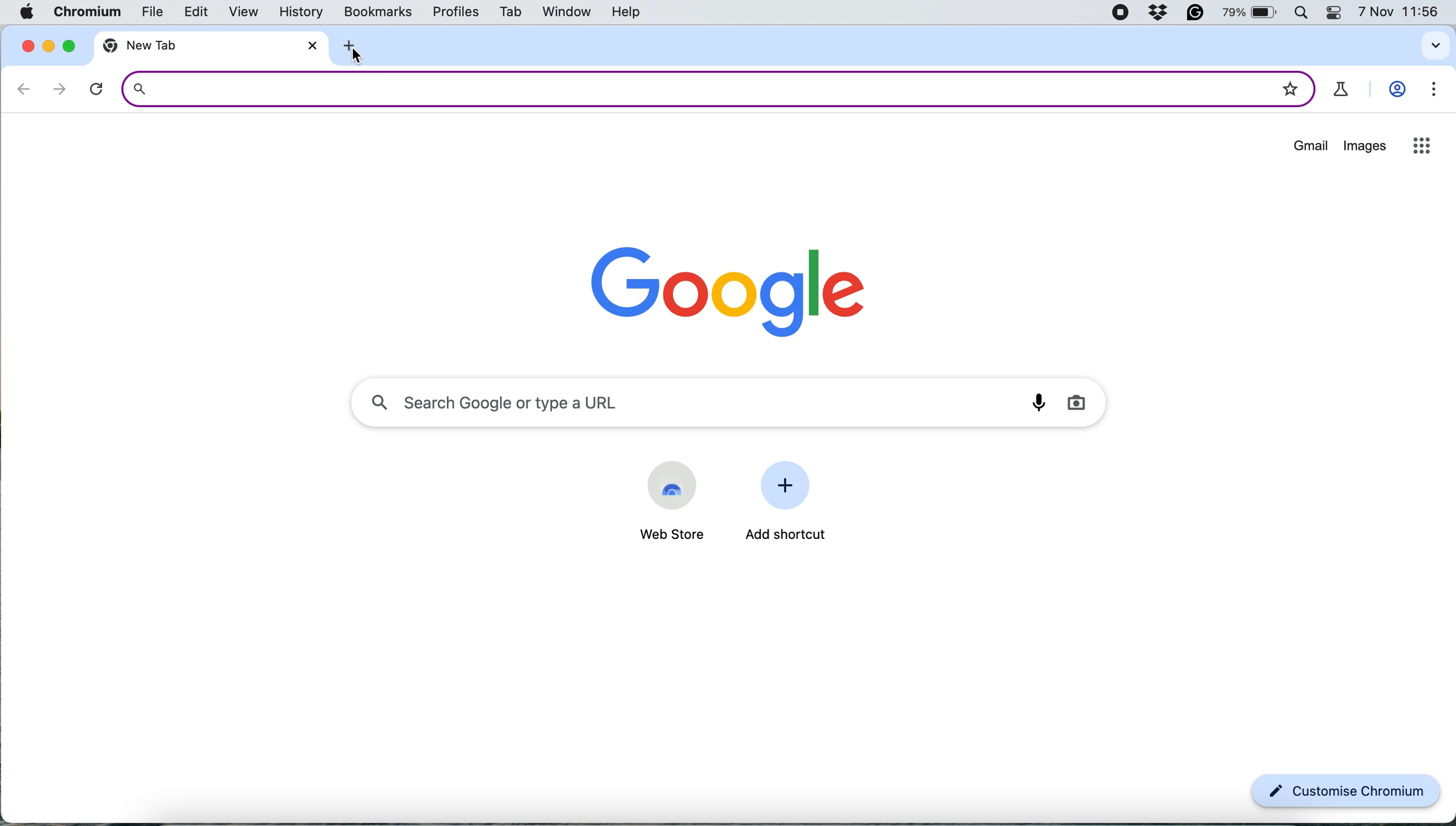 The width and height of the screenshot is (1456, 826). I want to click on minimise, so click(50, 46).